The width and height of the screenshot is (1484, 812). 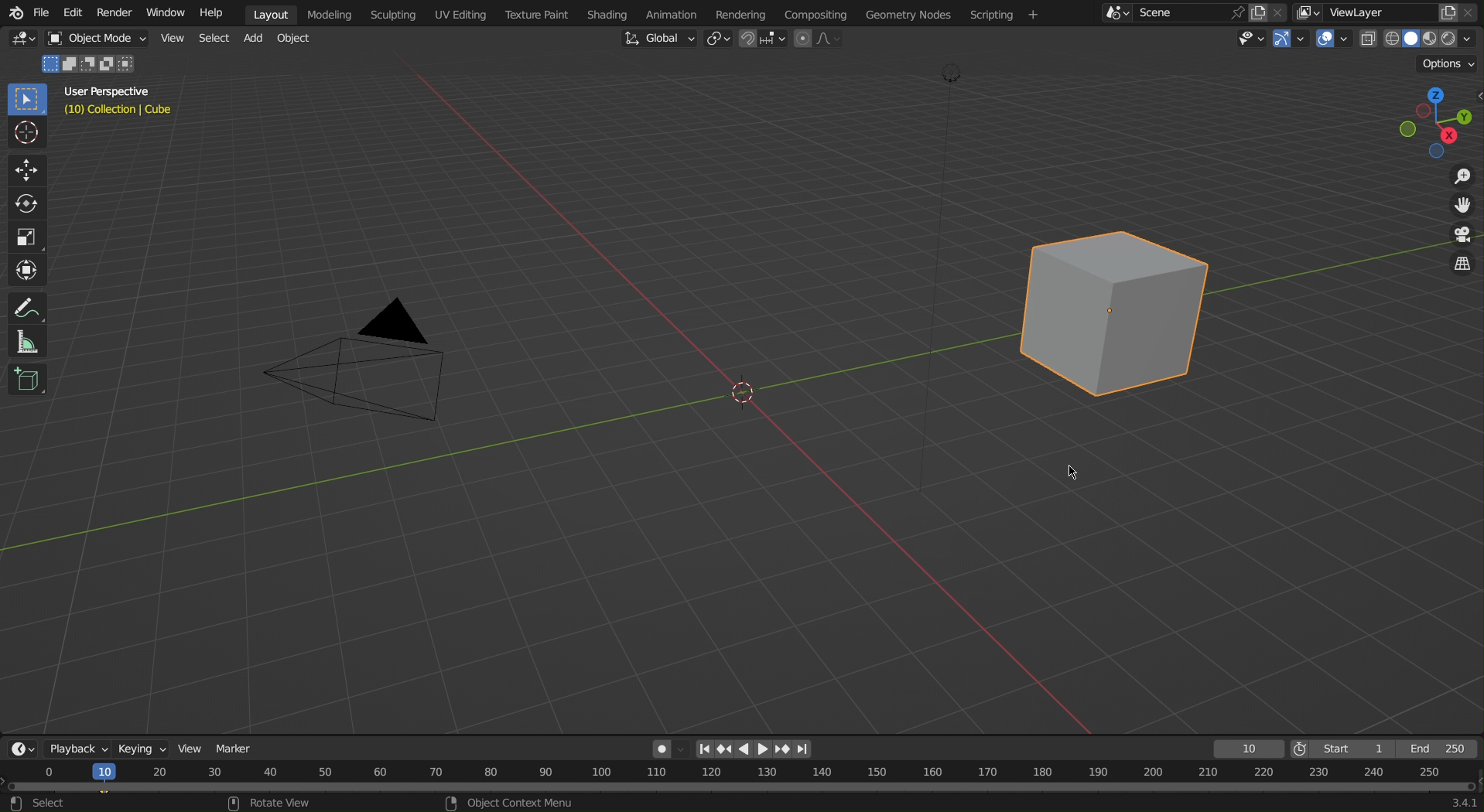 What do you see at coordinates (764, 749) in the screenshot?
I see `right` at bounding box center [764, 749].